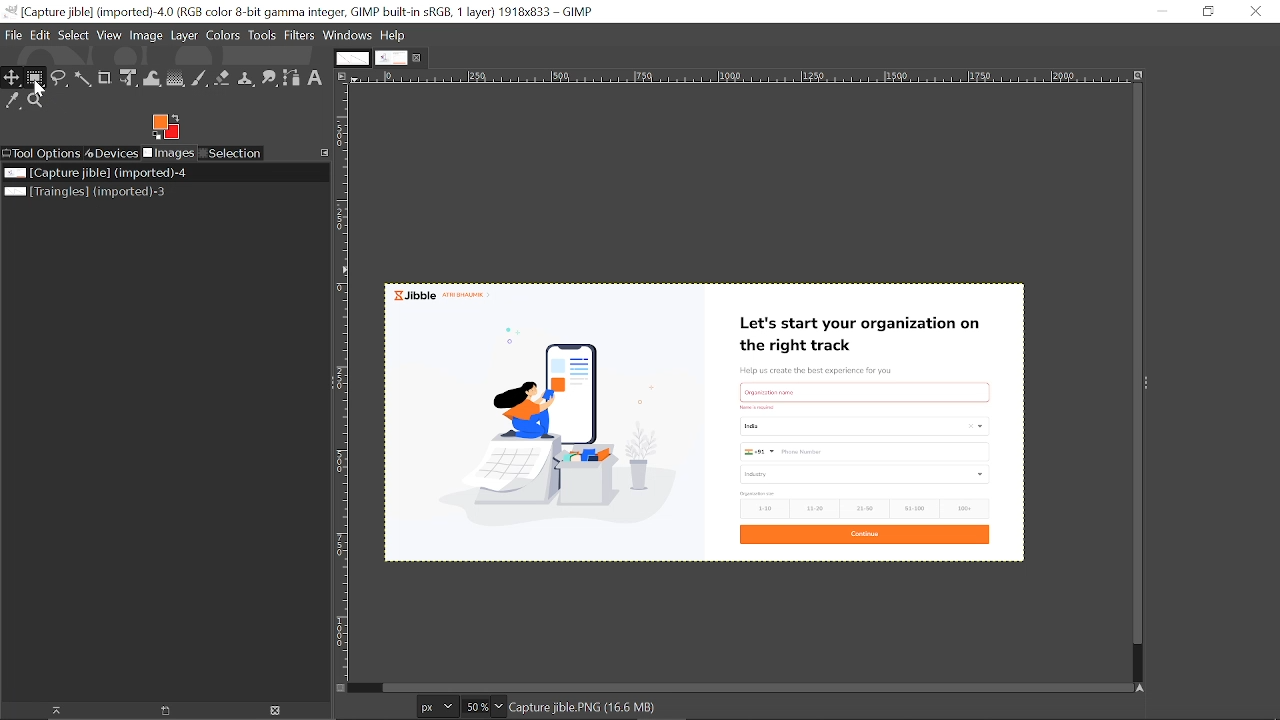  Describe the element at coordinates (58, 79) in the screenshot. I see `Free select tool` at that location.